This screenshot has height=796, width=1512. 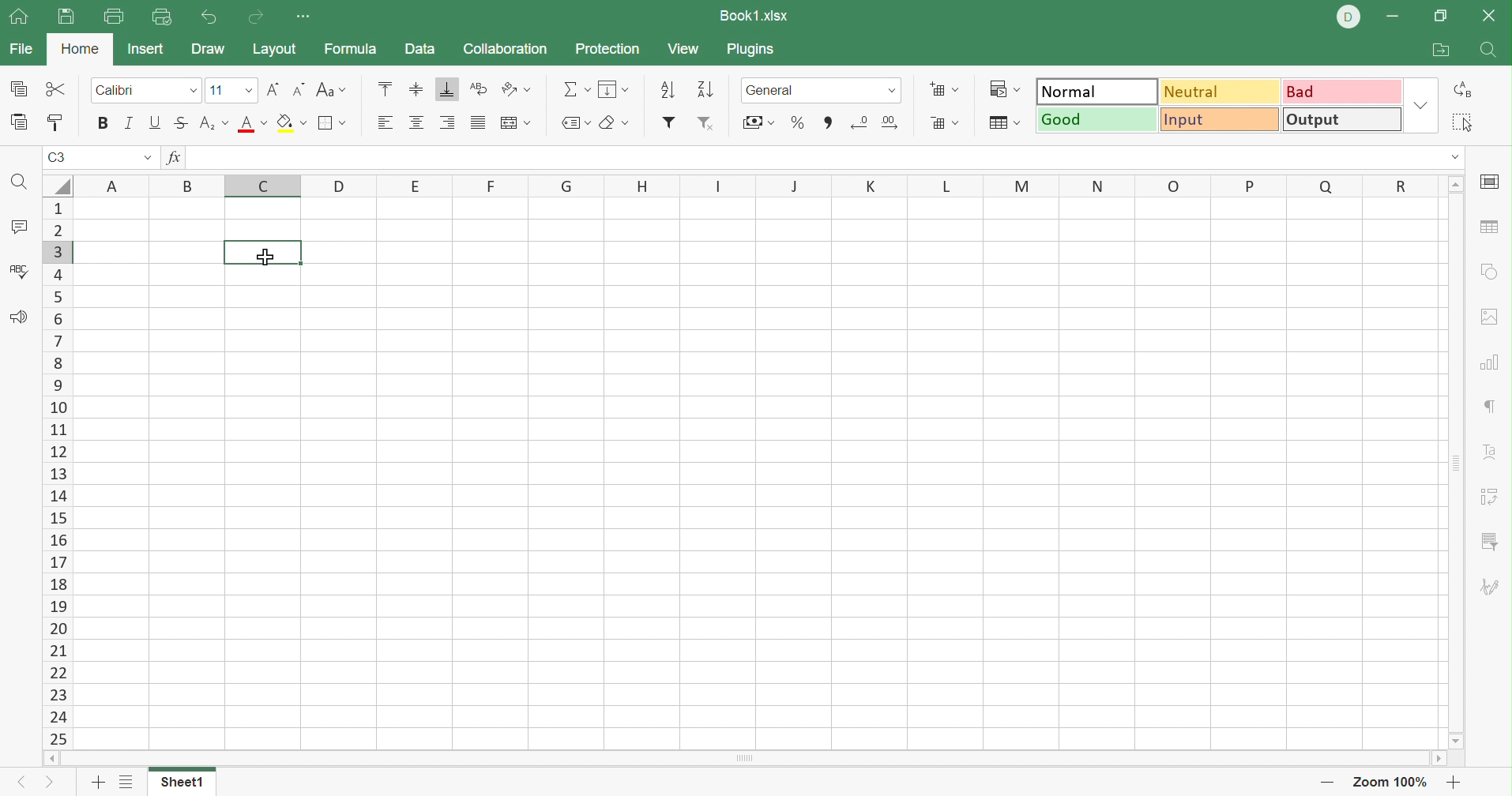 What do you see at coordinates (605, 47) in the screenshot?
I see `Protection` at bounding box center [605, 47].